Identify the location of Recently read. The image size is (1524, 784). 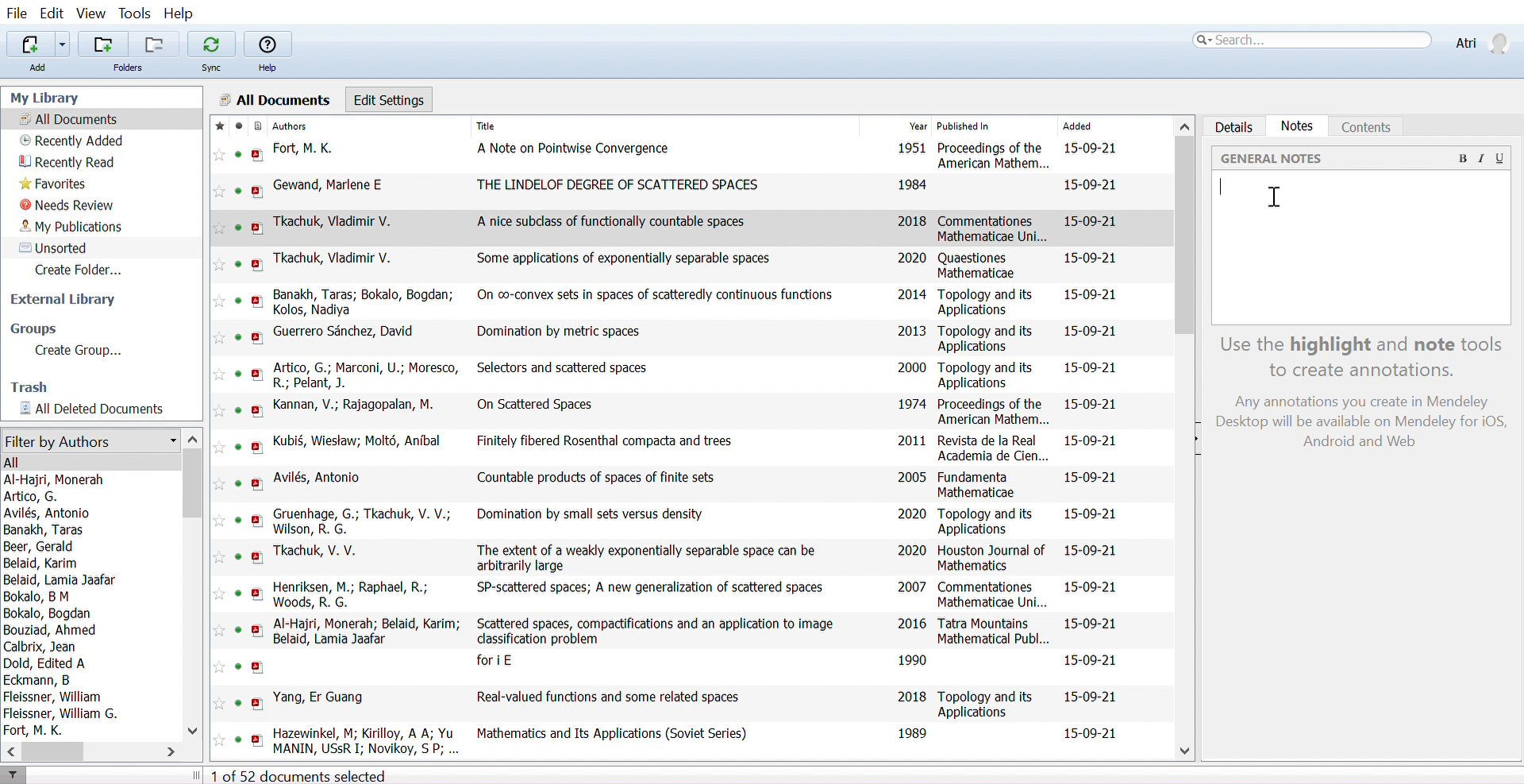
(70, 163).